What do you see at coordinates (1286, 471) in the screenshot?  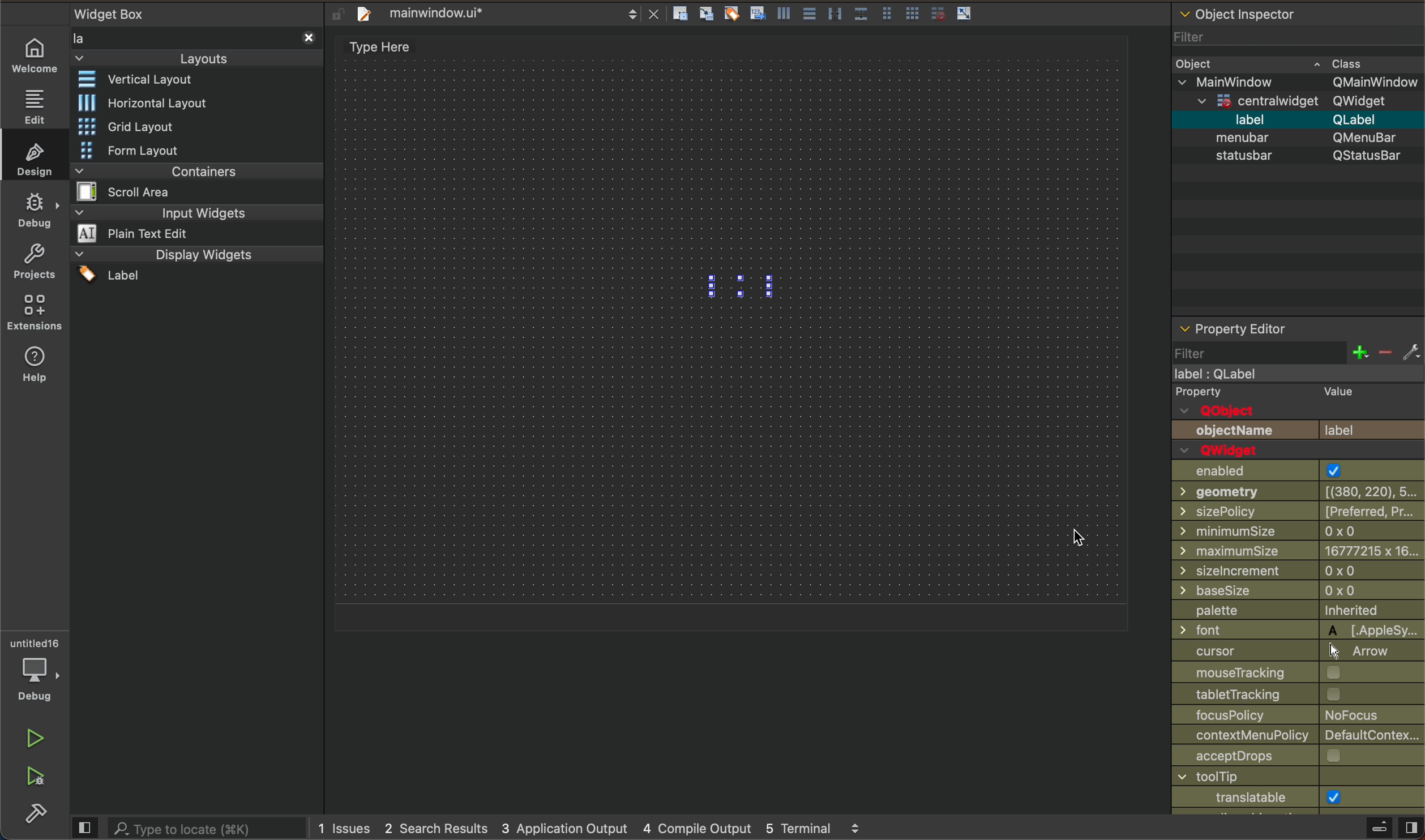 I see `enabled` at bounding box center [1286, 471].